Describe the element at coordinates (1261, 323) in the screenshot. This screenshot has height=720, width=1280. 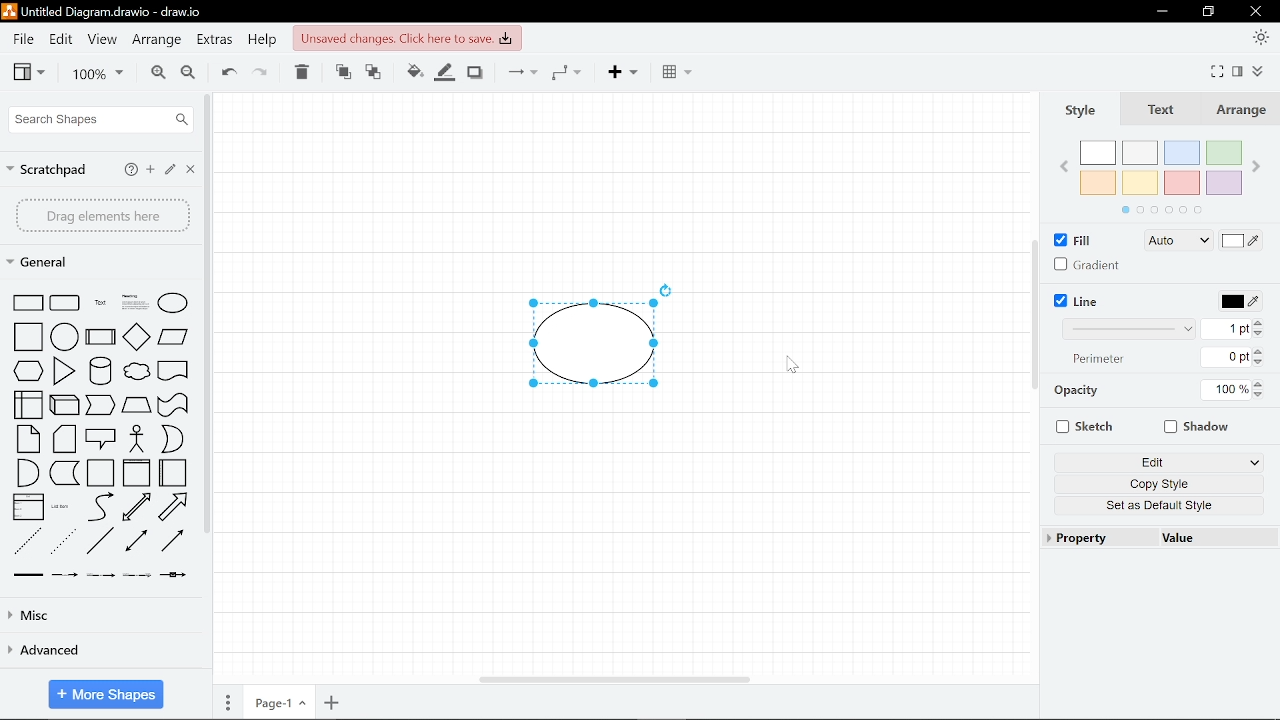
I see `` at that location.